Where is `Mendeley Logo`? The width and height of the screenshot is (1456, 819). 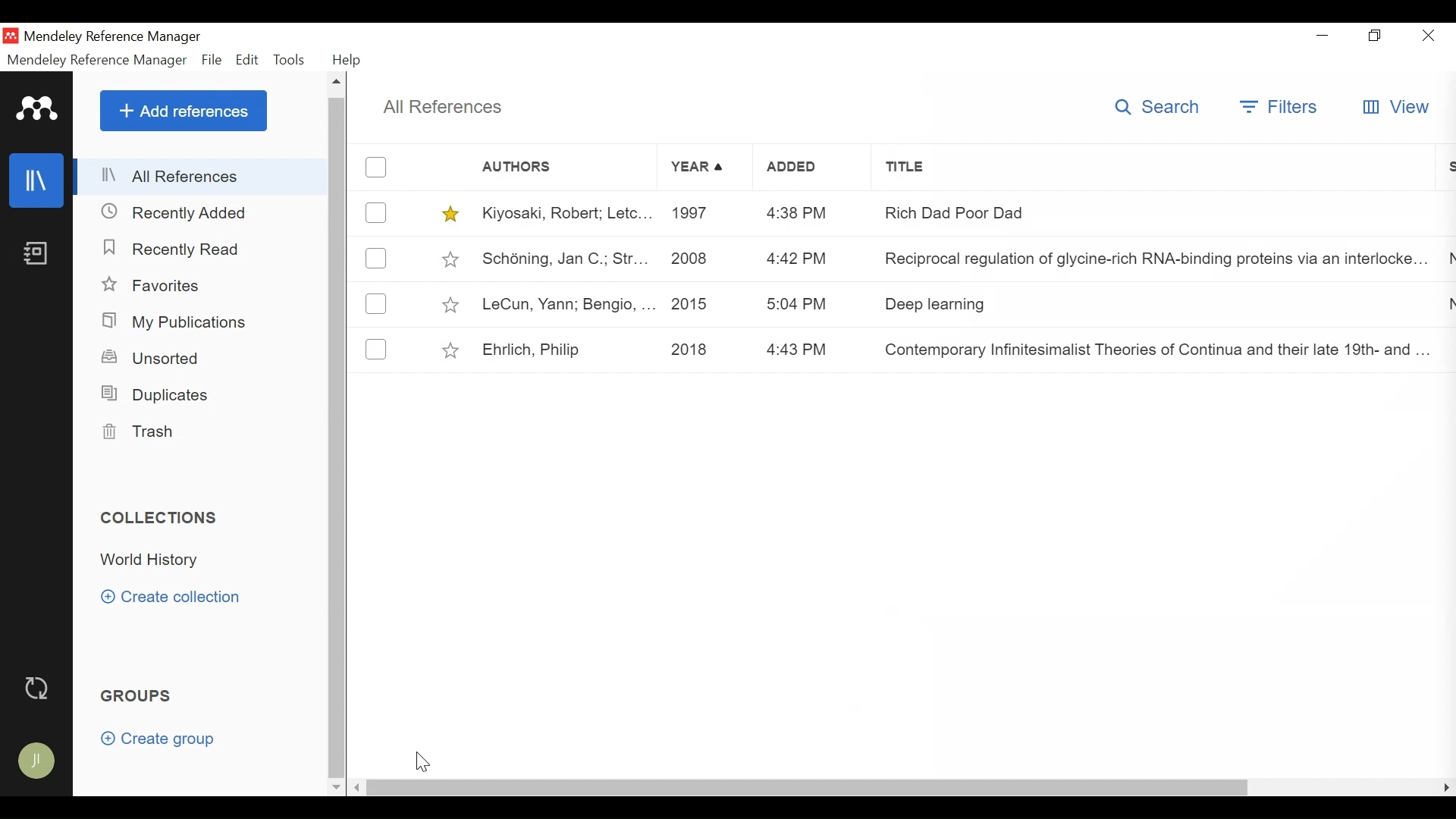
Mendeley Logo is located at coordinates (37, 108).